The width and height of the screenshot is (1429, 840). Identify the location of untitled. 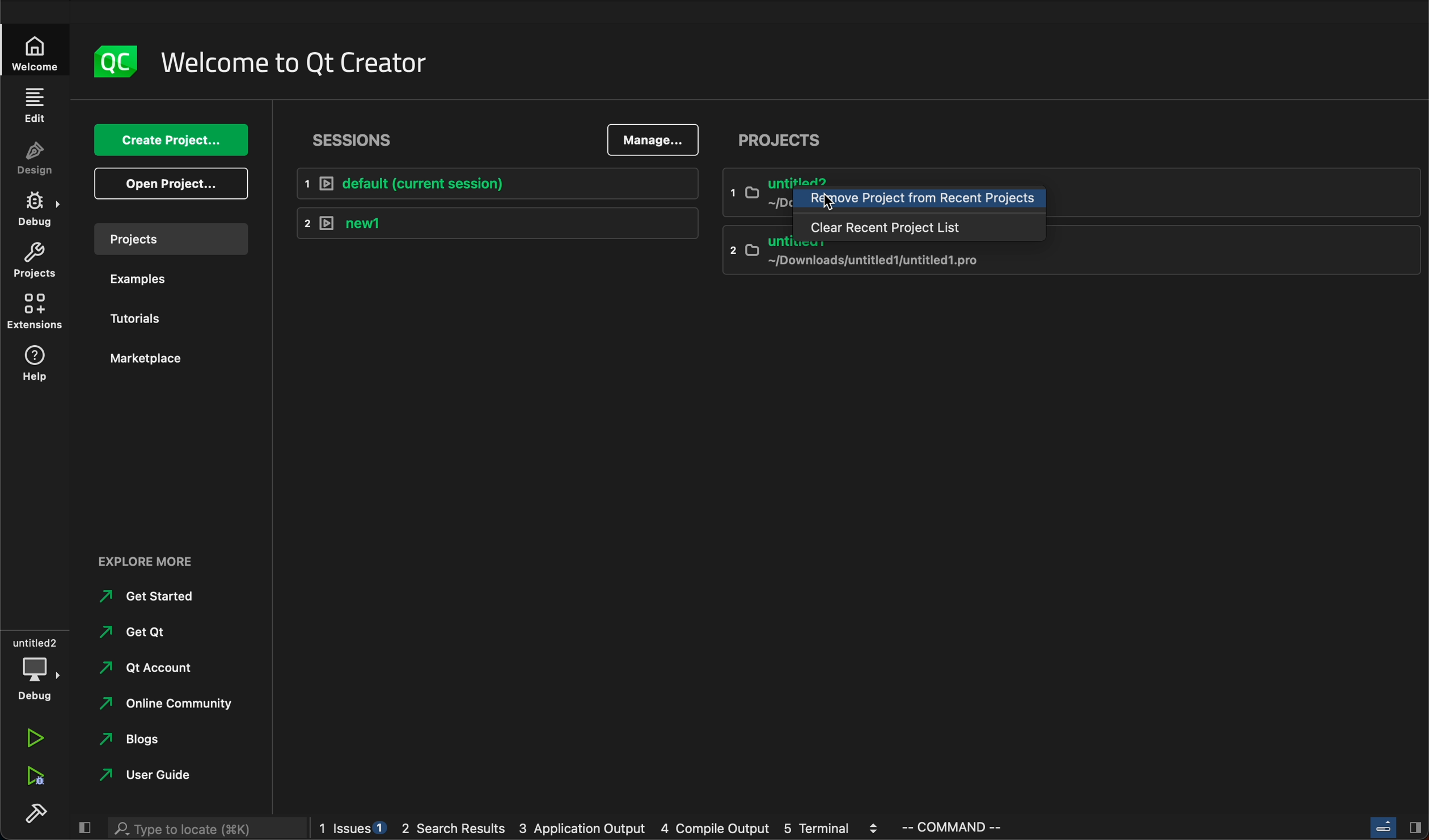
(1071, 263).